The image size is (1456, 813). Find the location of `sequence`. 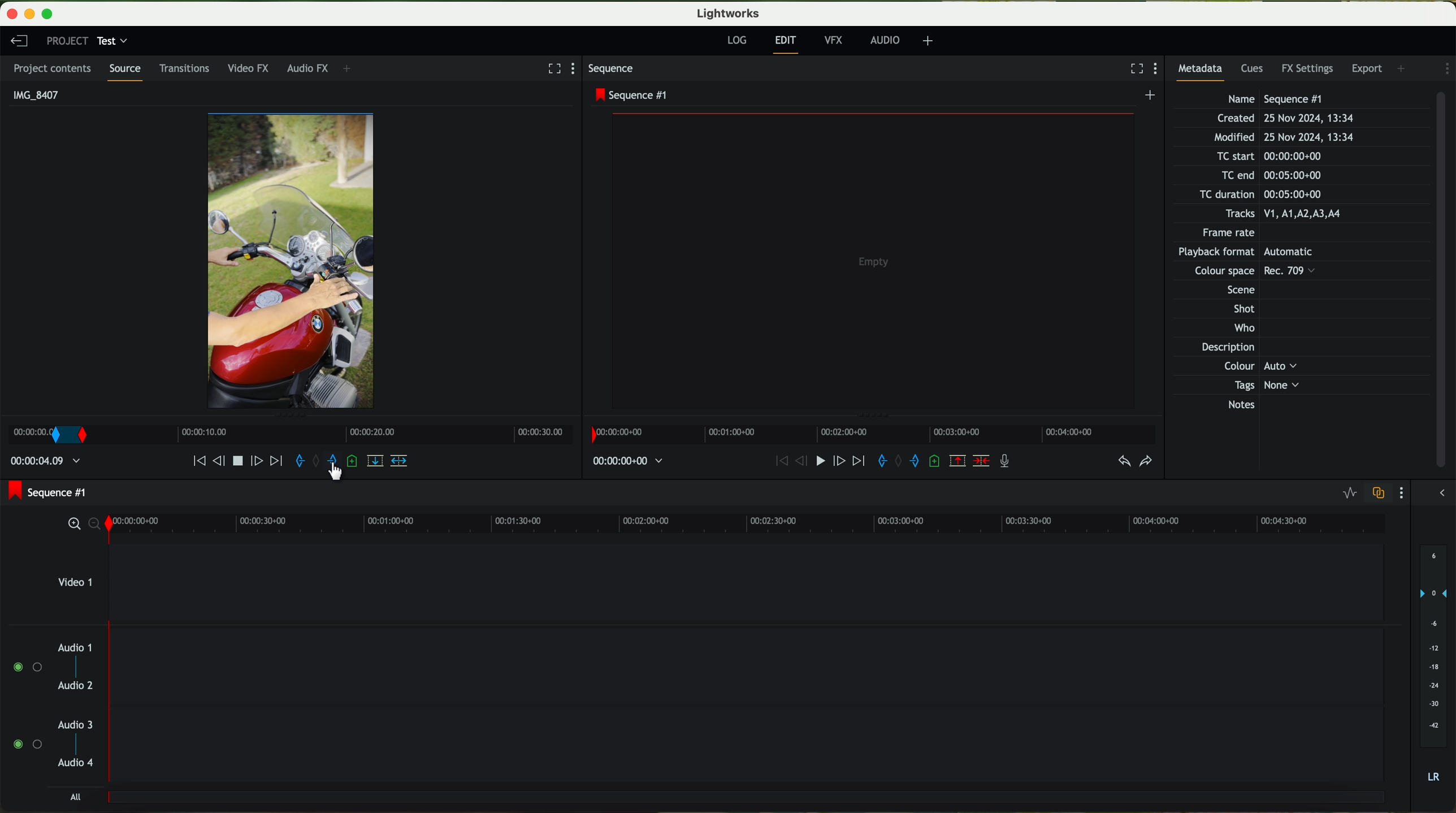

sequence is located at coordinates (615, 70).